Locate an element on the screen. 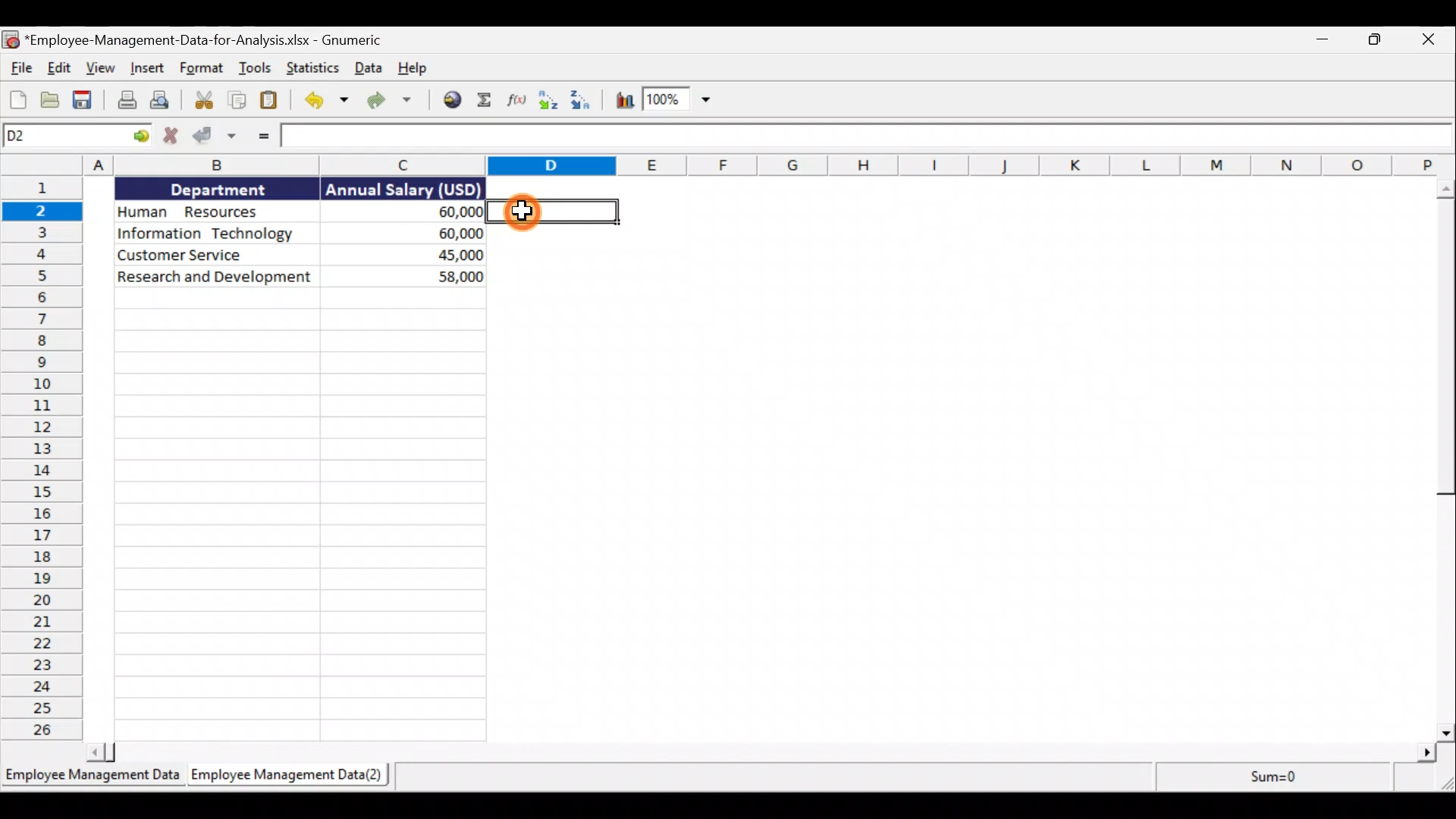 This screenshot has width=1456, height=819. Insert is located at coordinates (146, 65).